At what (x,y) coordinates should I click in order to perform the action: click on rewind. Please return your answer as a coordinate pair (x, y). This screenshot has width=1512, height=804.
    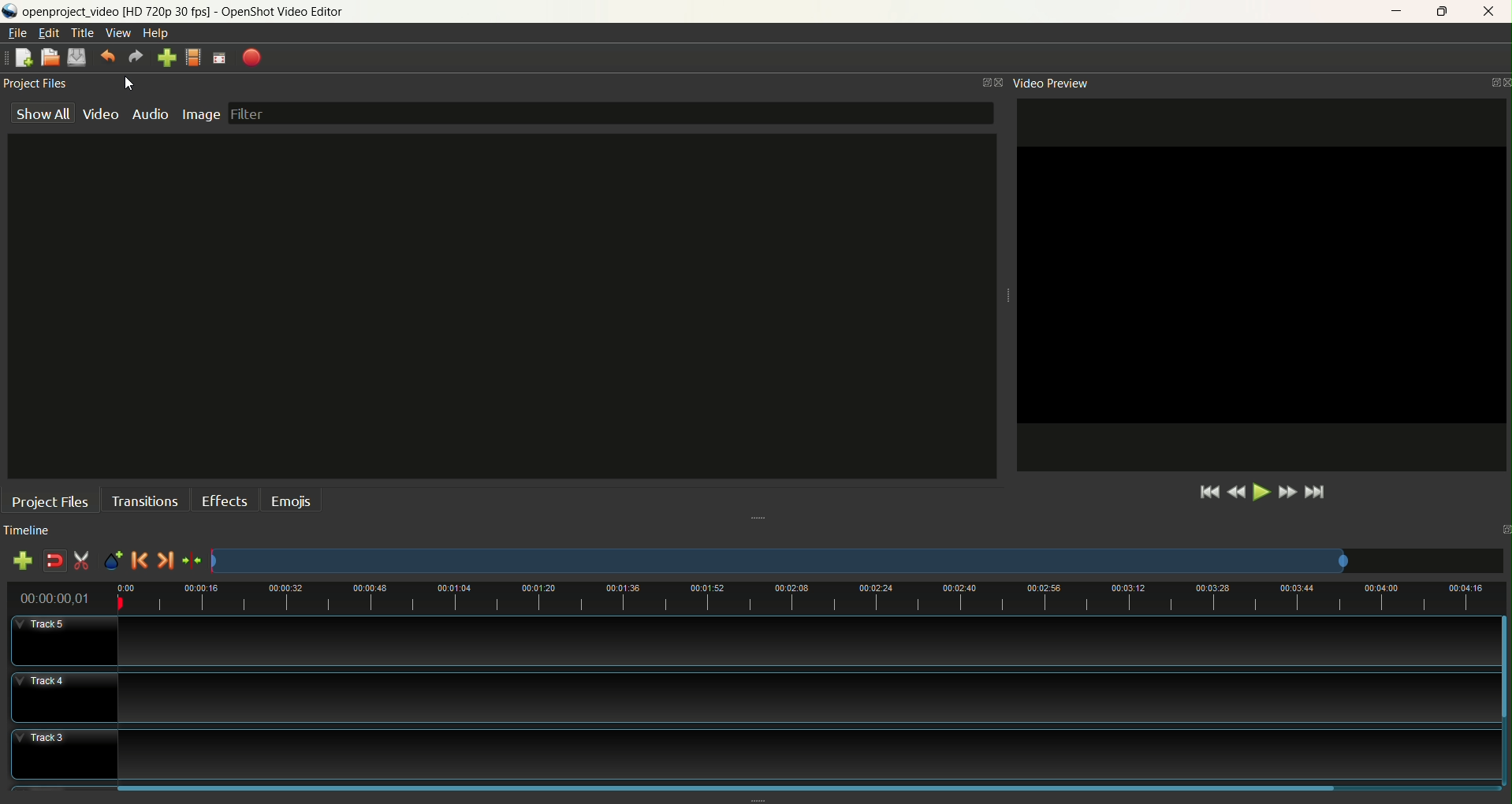
    Looking at the image, I should click on (1235, 491).